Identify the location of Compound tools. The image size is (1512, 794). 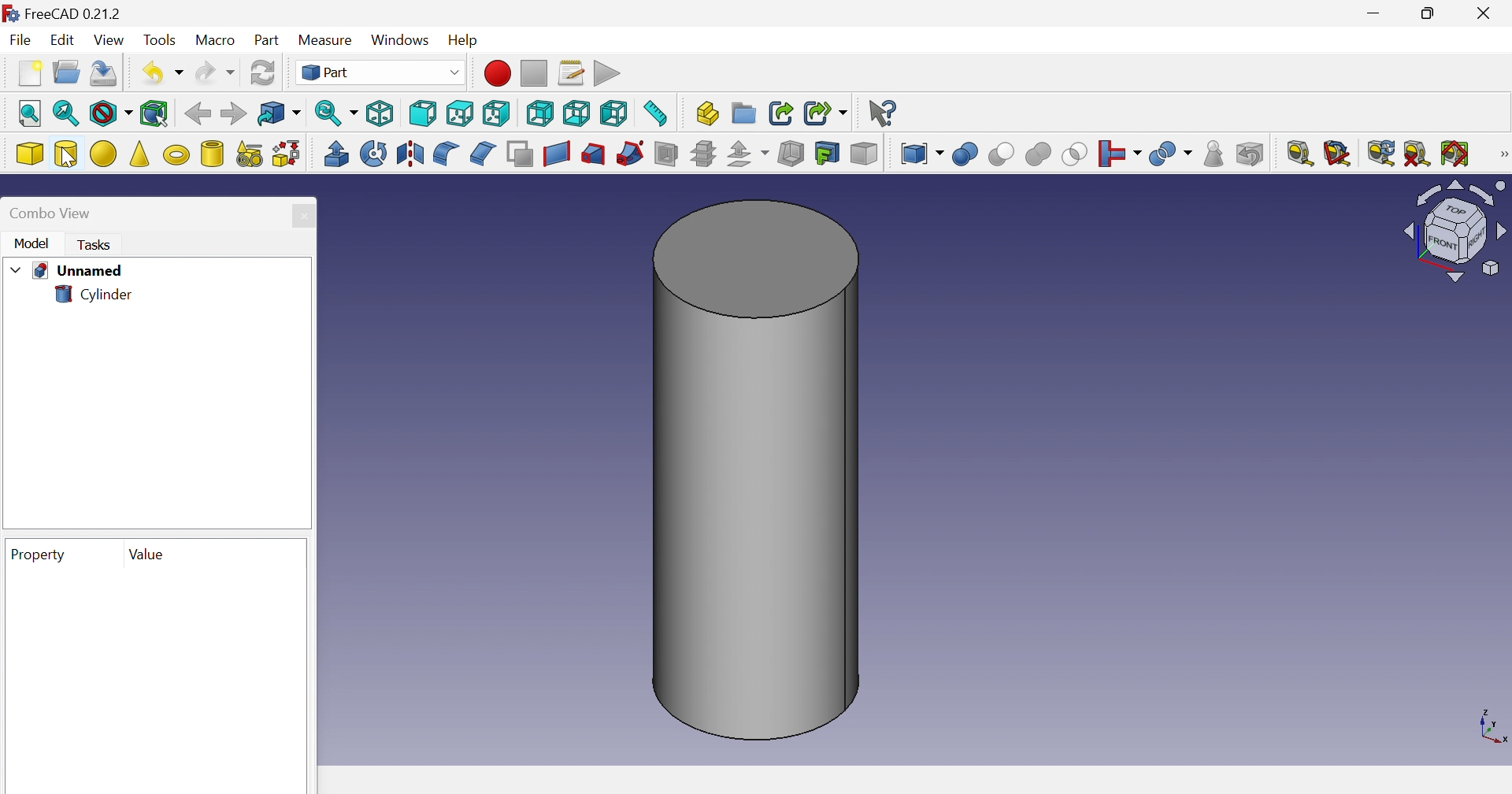
(921, 154).